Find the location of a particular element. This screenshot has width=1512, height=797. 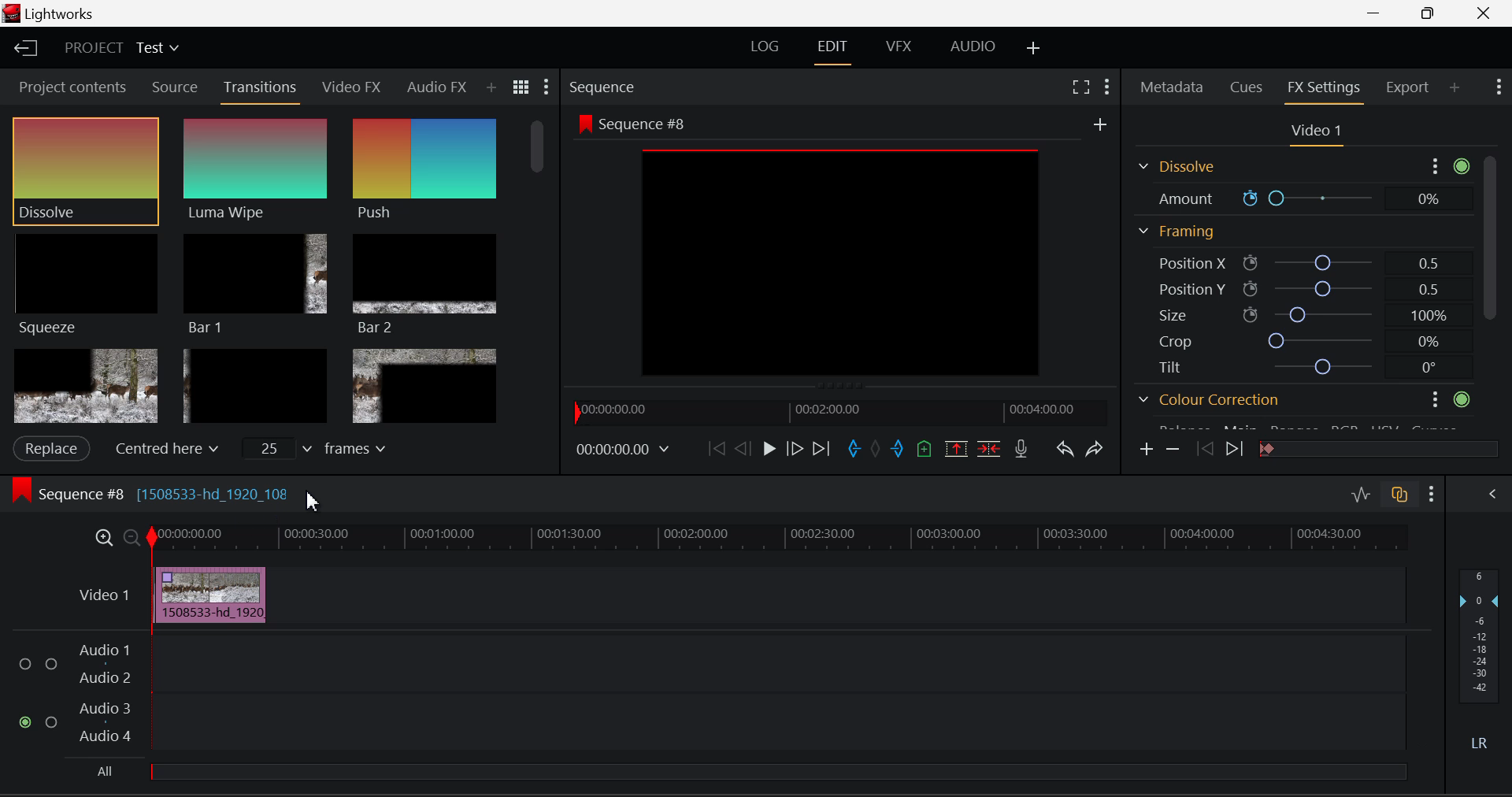

Cues is located at coordinates (1246, 87).